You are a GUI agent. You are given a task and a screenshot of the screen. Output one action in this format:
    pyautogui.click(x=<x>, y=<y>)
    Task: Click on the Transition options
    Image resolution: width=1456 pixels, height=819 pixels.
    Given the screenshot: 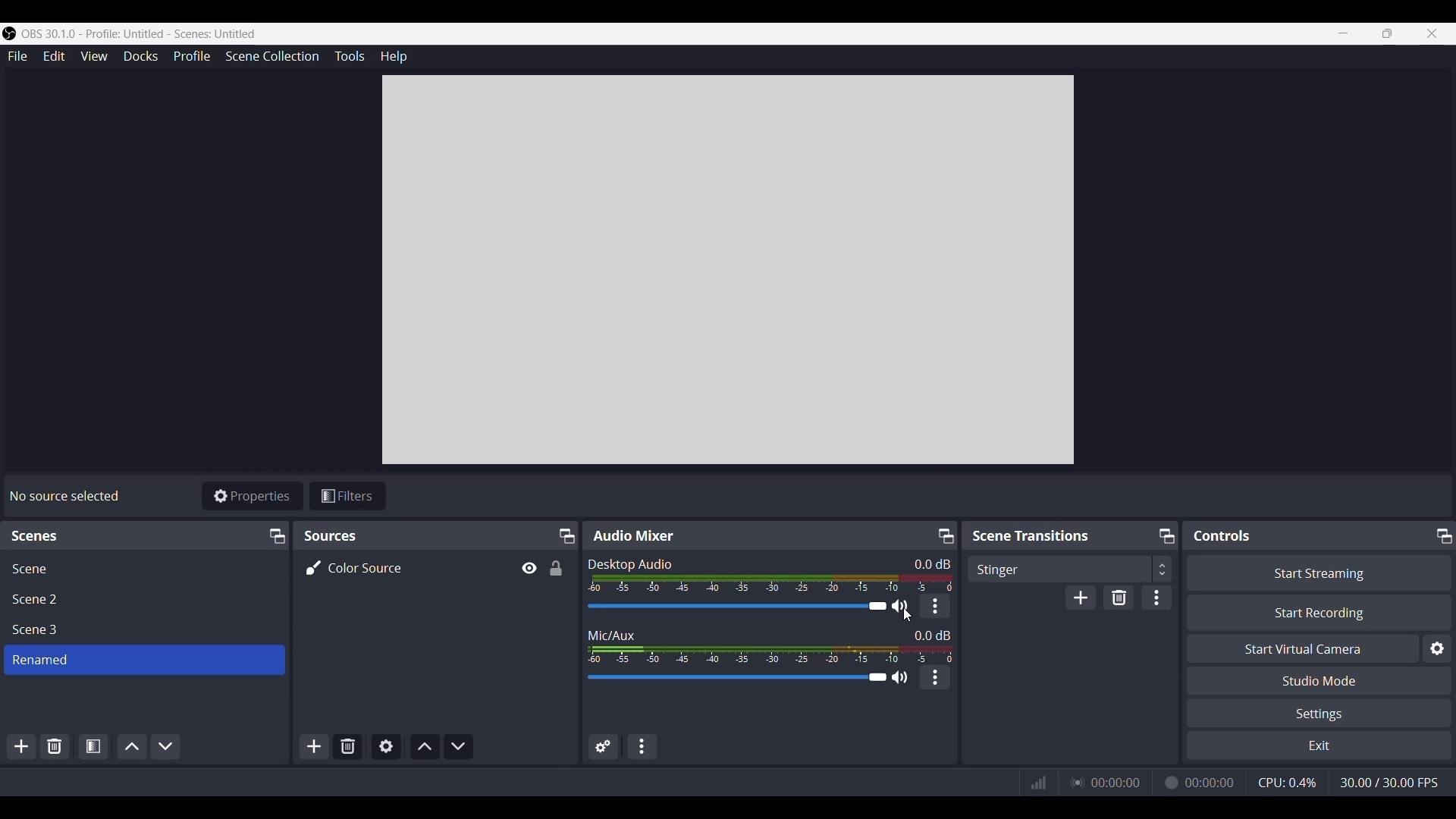 What is the action you would take?
    pyautogui.click(x=1069, y=569)
    